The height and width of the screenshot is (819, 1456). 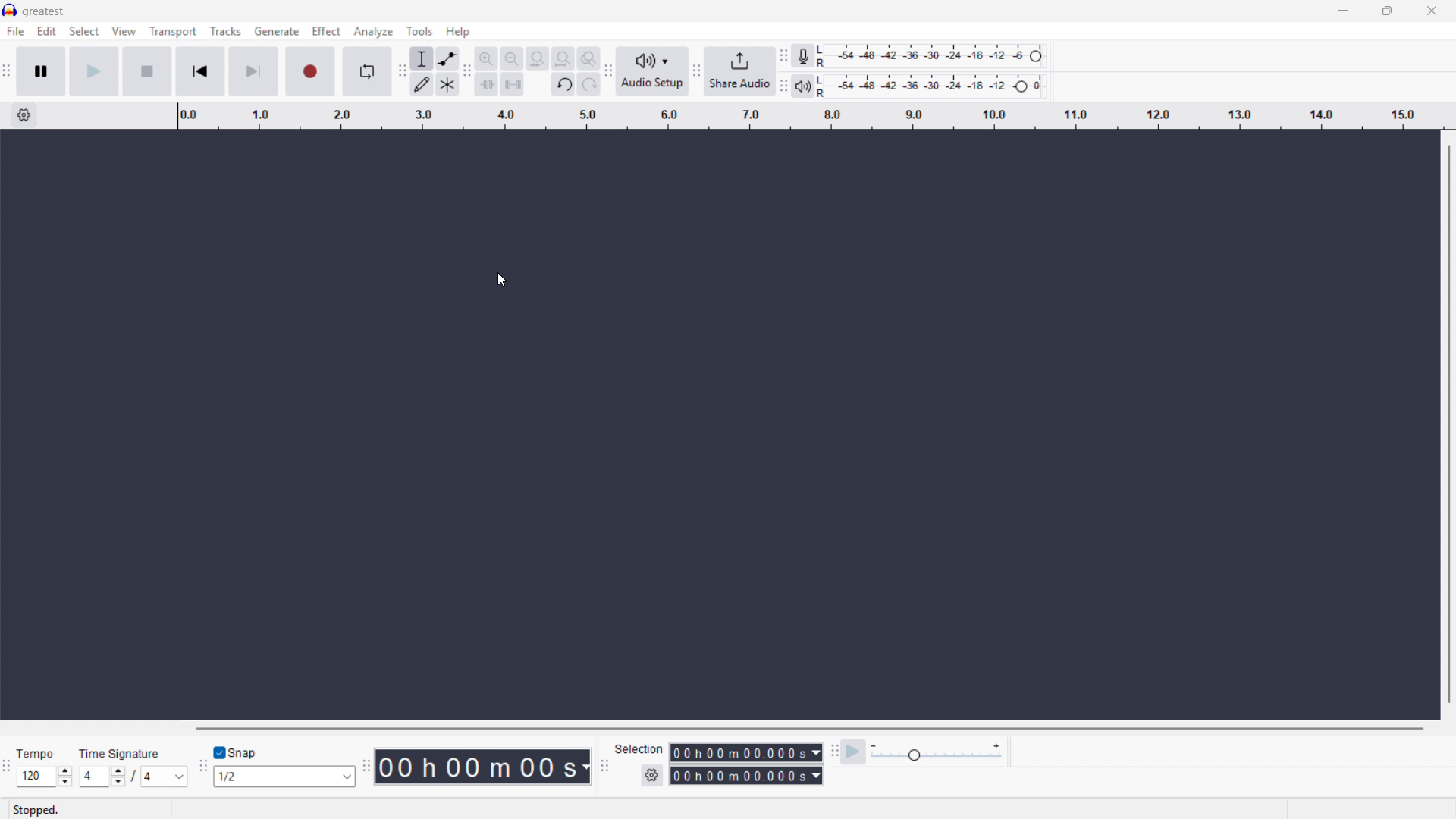 What do you see at coordinates (94, 72) in the screenshot?
I see `Play ` at bounding box center [94, 72].